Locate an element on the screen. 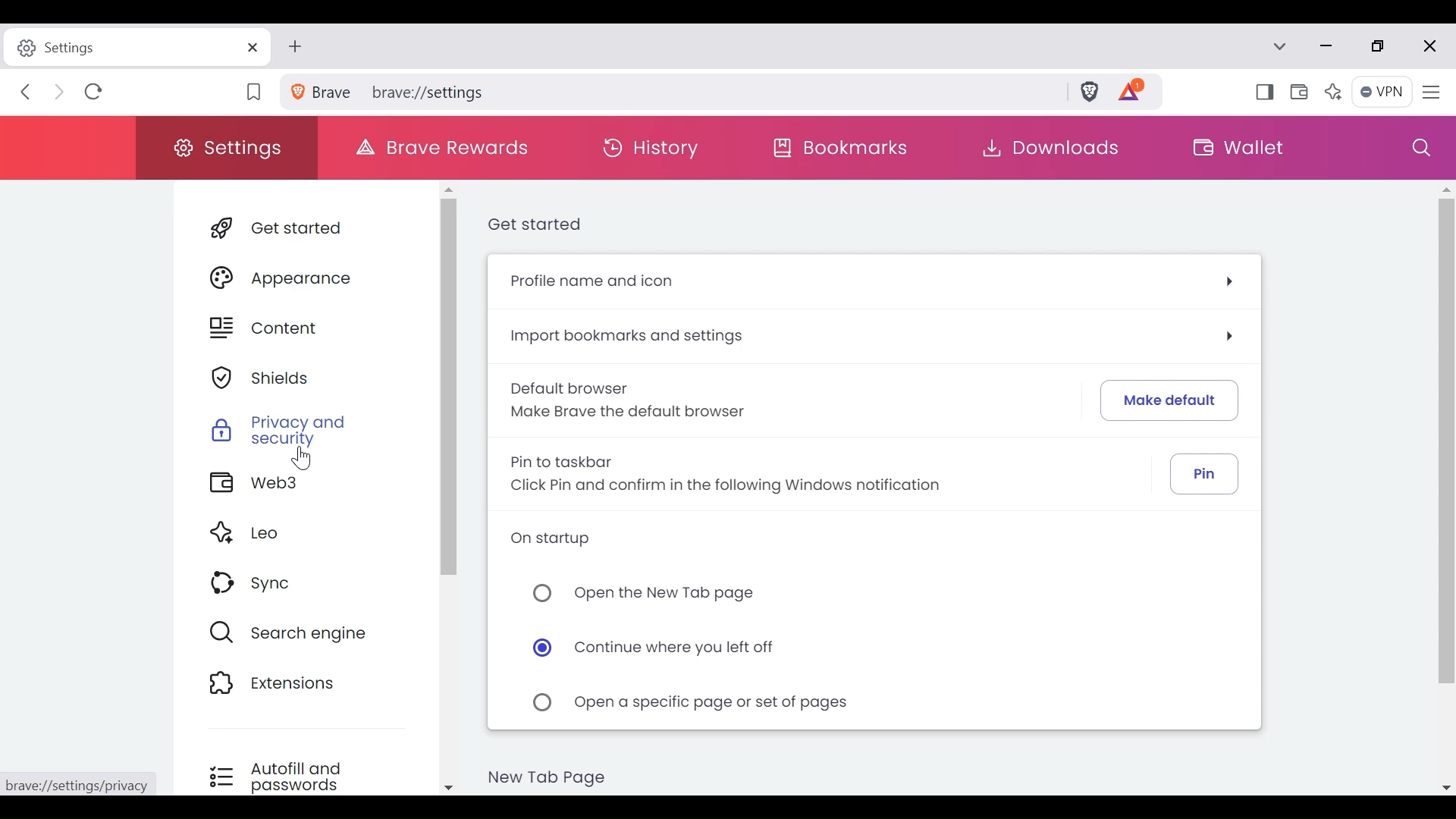 Image resolution: width=1456 pixels, height=819 pixels. VPN is located at coordinates (1382, 93).